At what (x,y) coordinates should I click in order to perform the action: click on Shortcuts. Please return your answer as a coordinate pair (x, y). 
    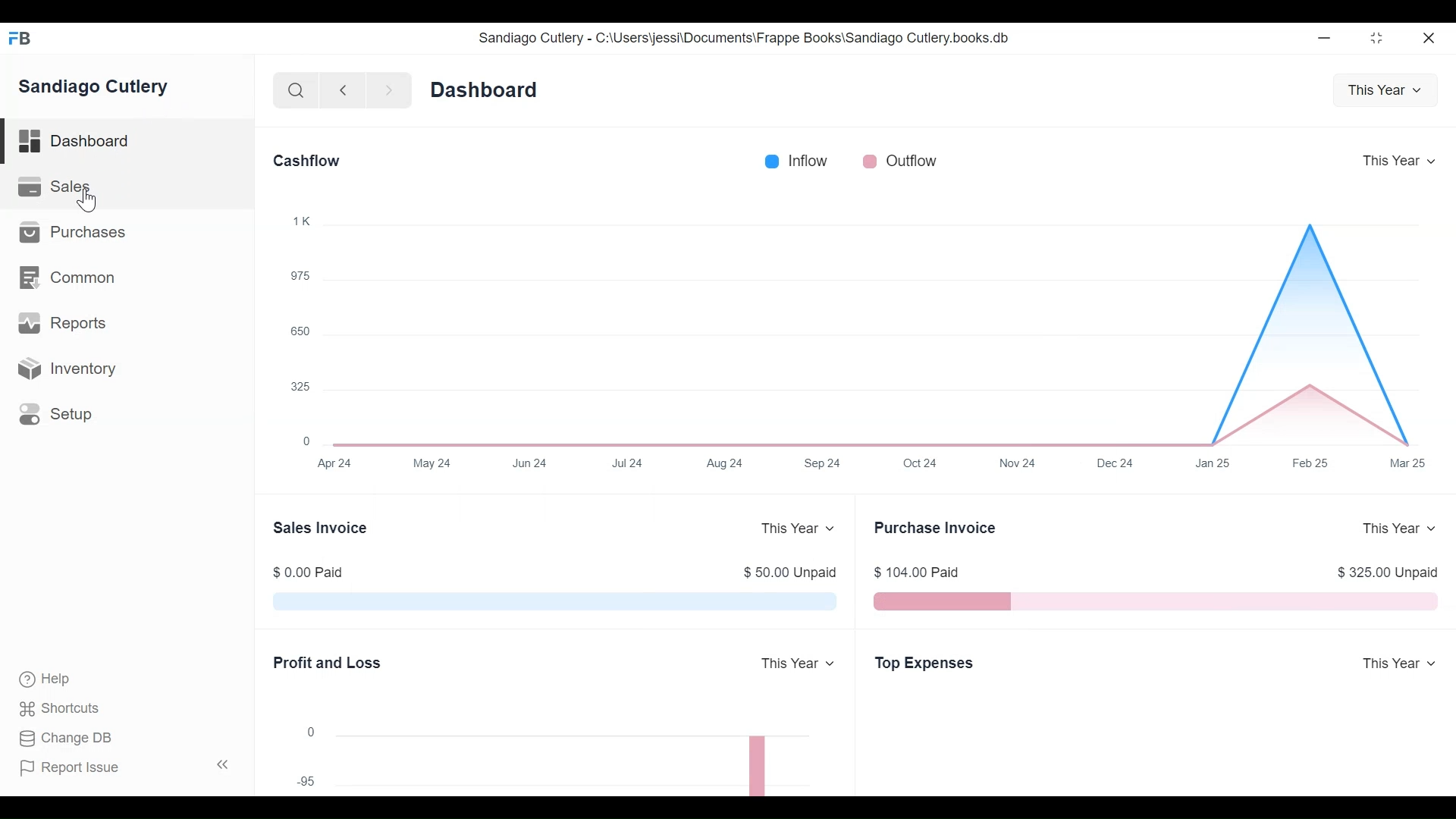
    Looking at the image, I should click on (62, 711).